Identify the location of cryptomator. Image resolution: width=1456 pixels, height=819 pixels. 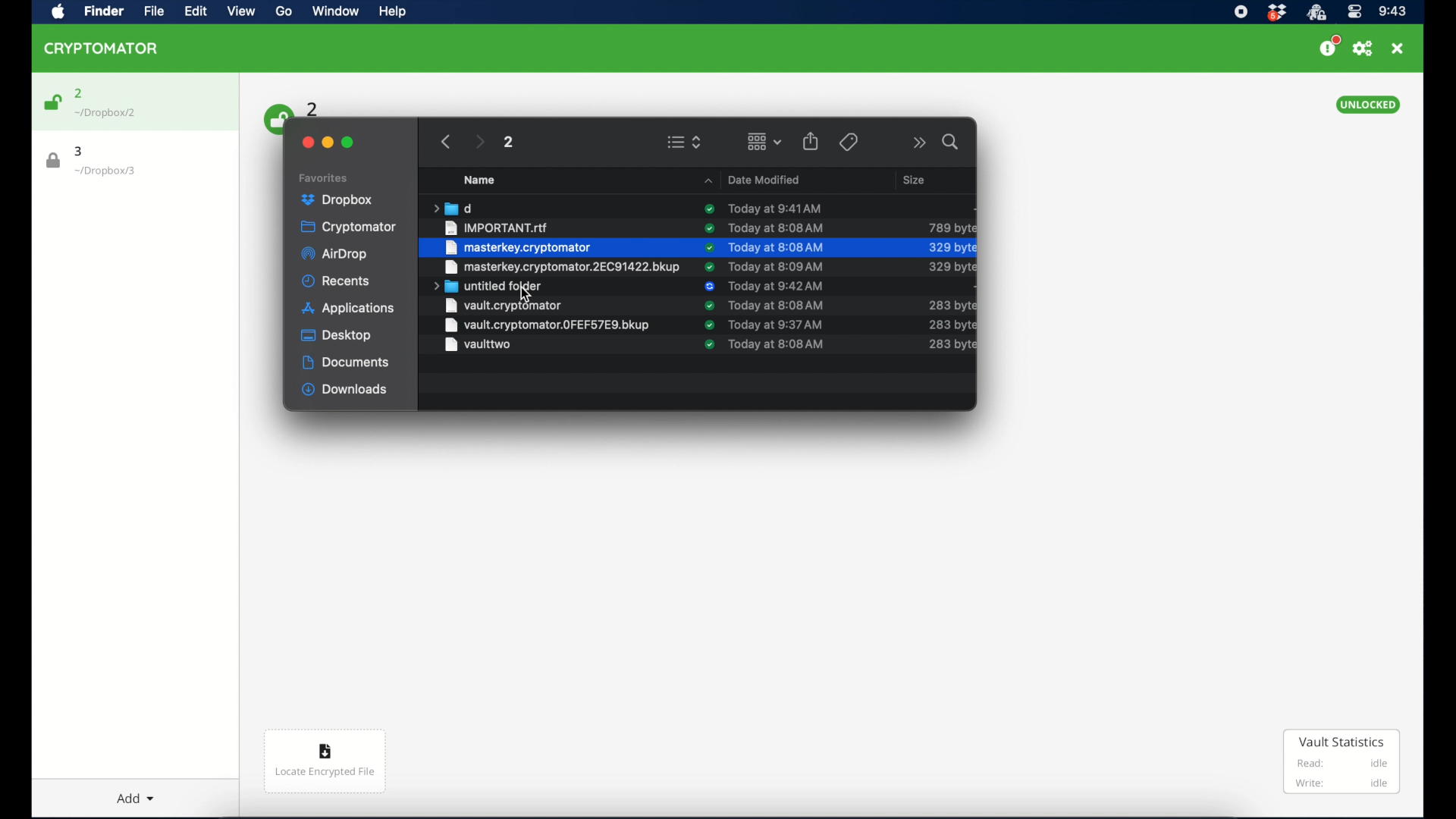
(102, 48).